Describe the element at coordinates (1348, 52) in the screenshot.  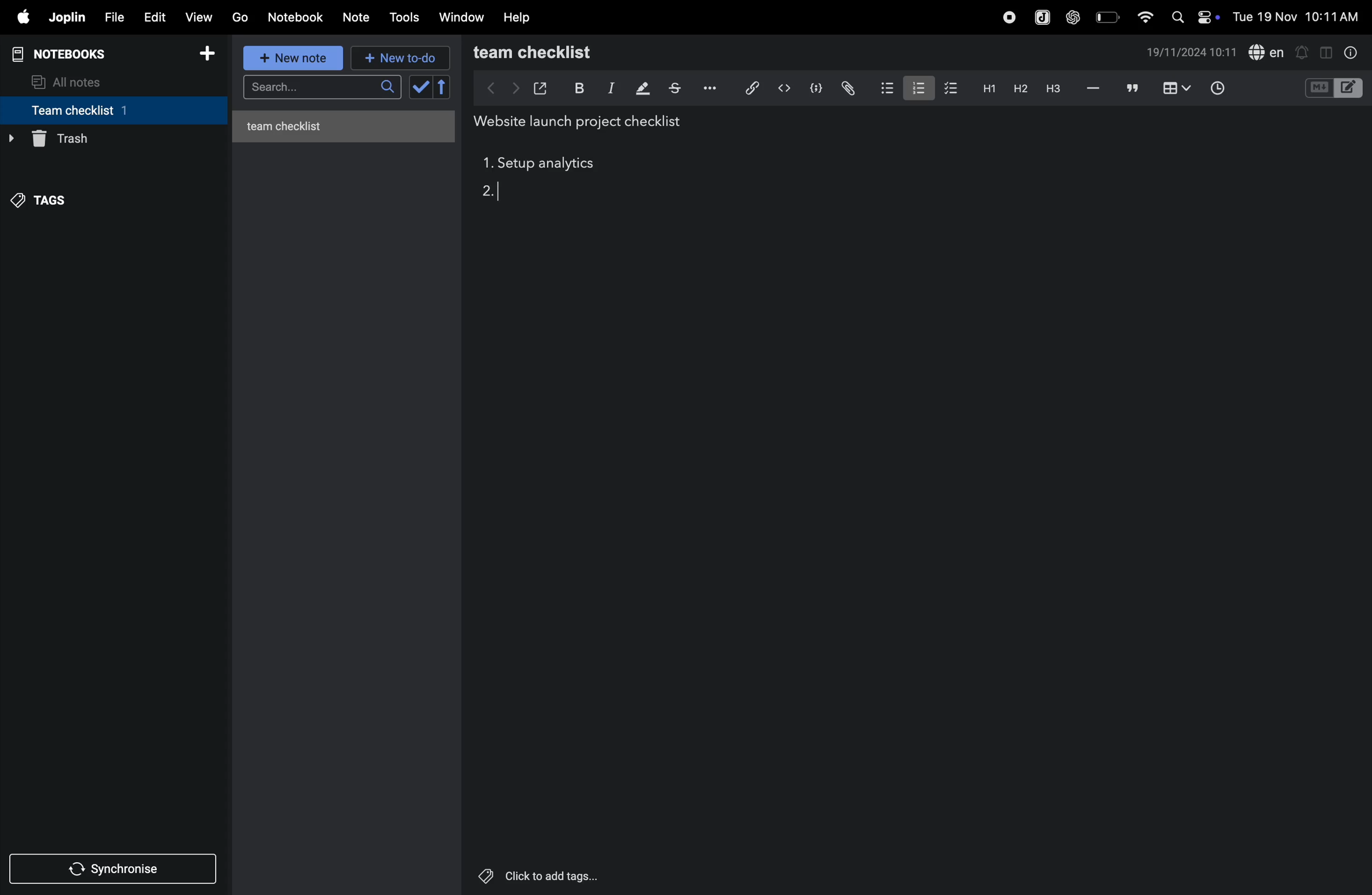
I see `info` at that location.